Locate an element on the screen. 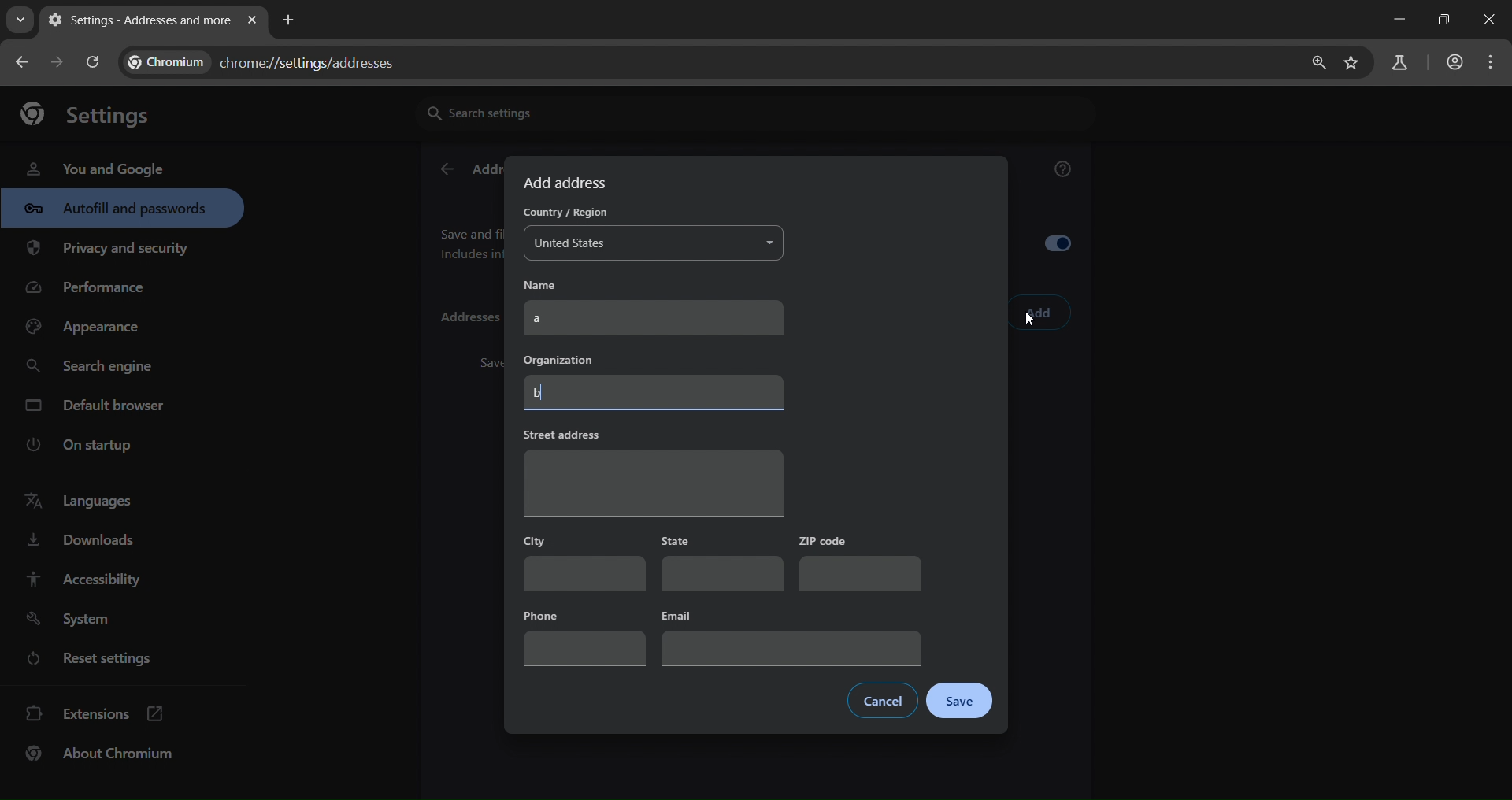 The width and height of the screenshot is (1512, 800). go back one page is located at coordinates (24, 61).